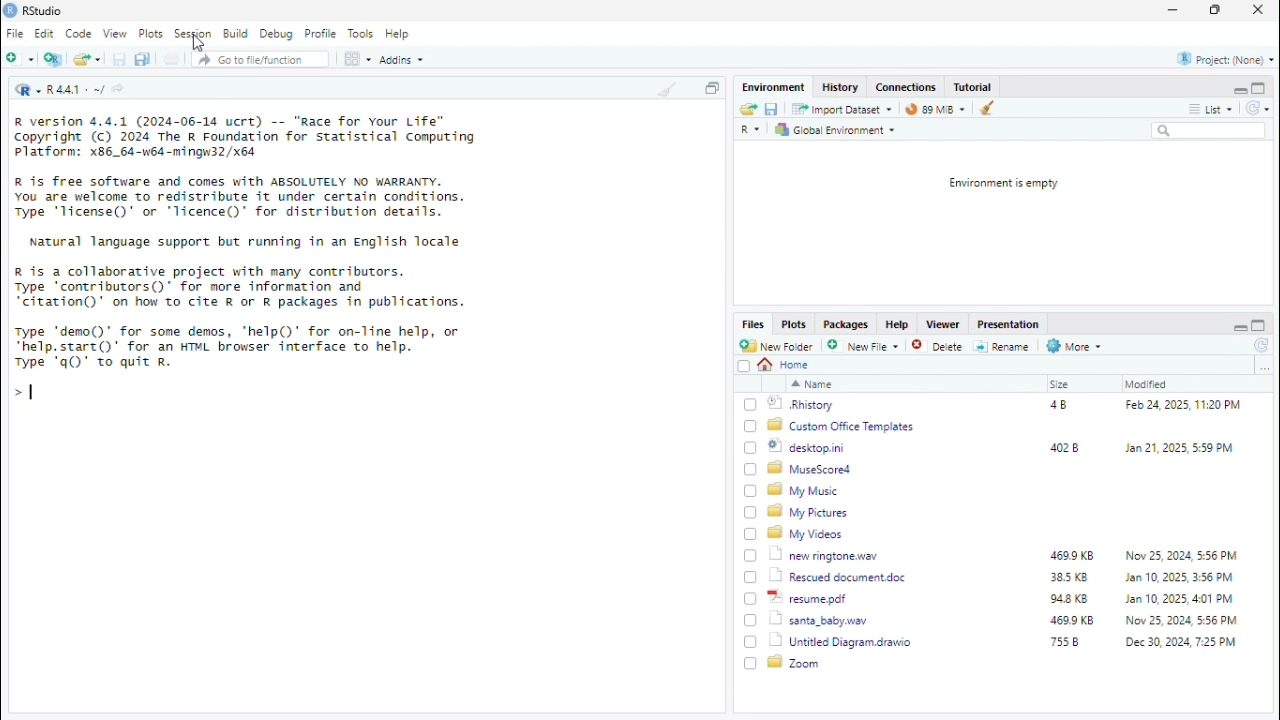  What do you see at coordinates (20, 57) in the screenshot?
I see `New folder ` at bounding box center [20, 57].